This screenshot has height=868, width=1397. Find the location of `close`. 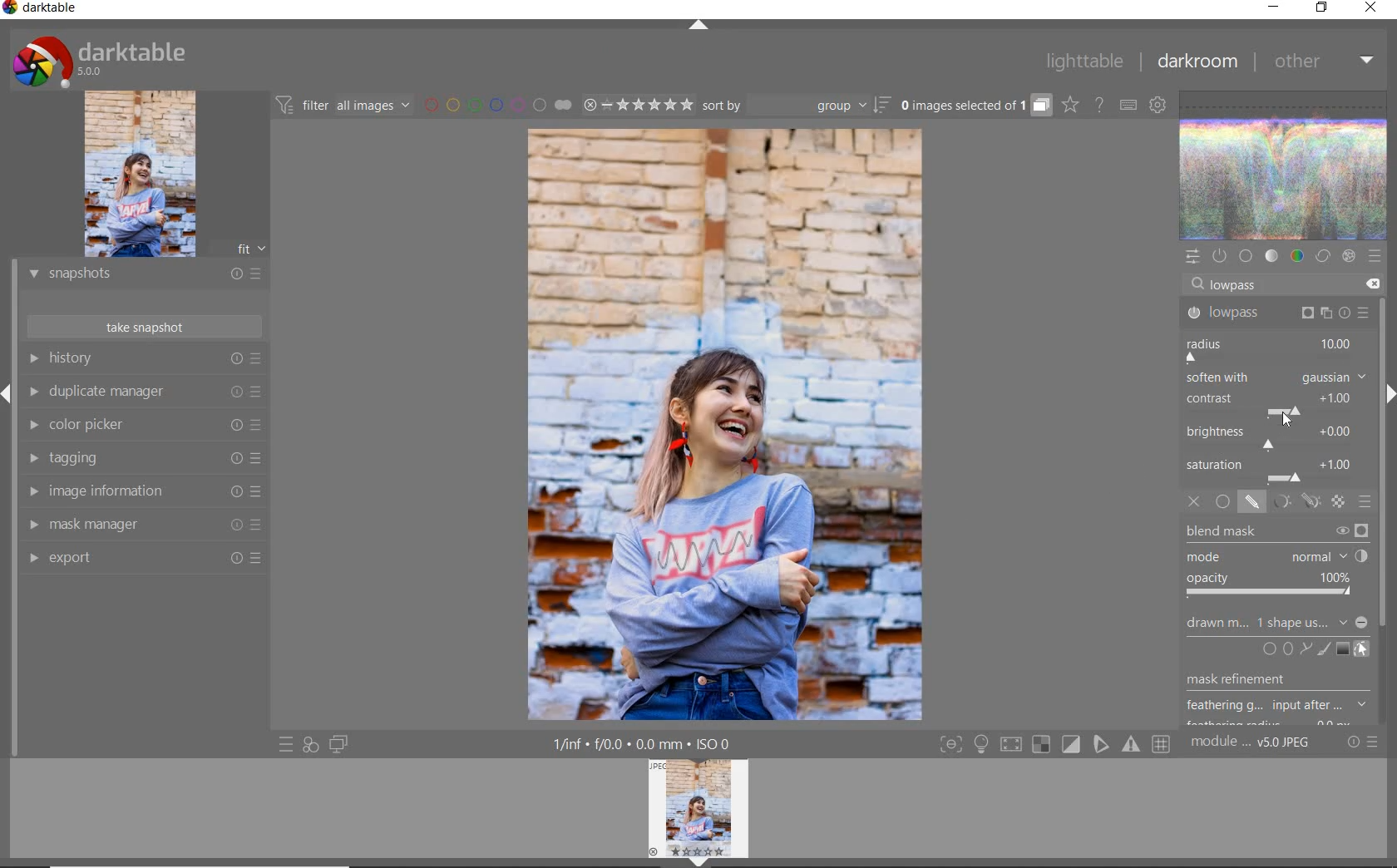

close is located at coordinates (1370, 9).